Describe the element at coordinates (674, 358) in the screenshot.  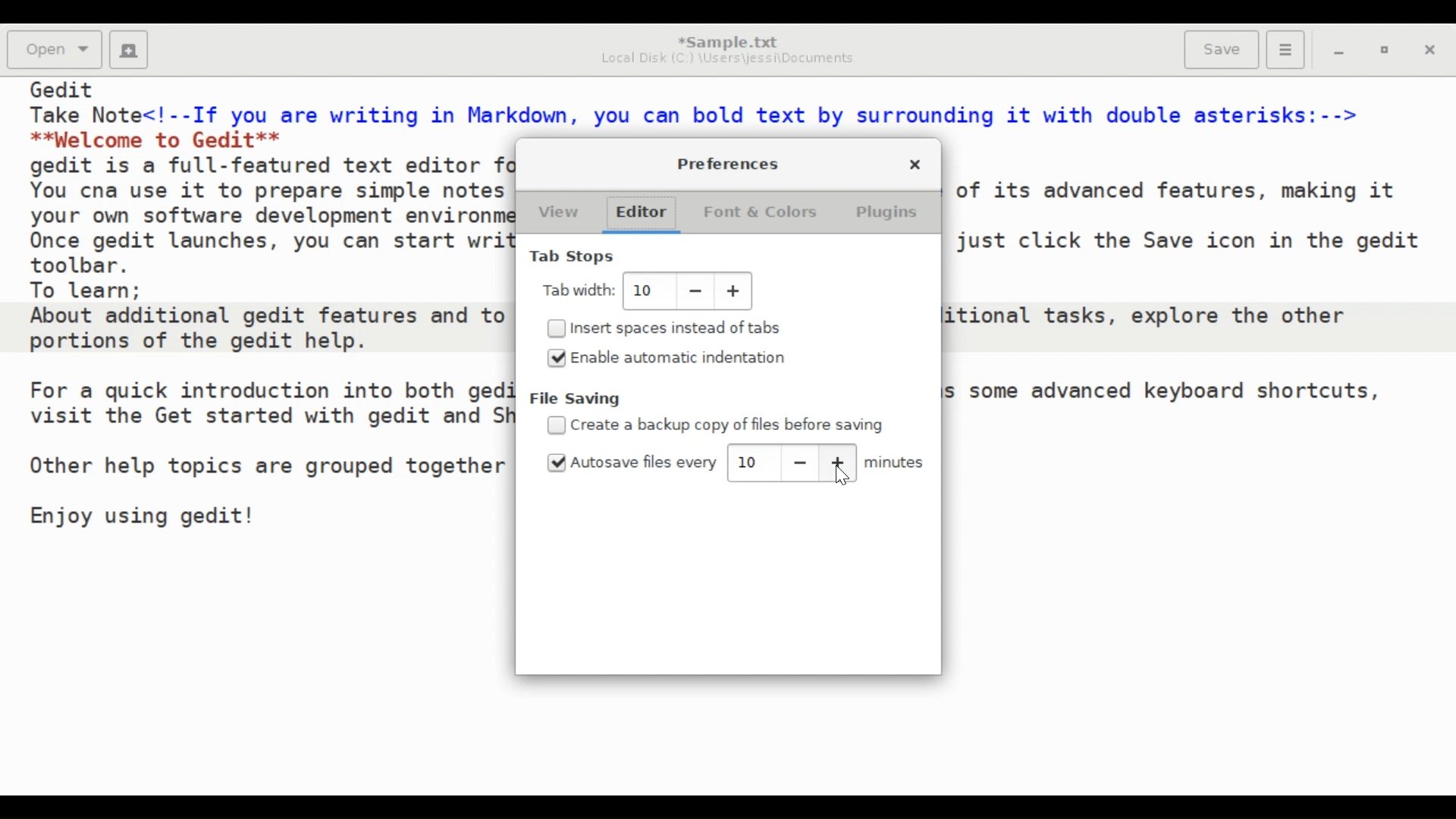
I see `(un)select Enable automatic indentation` at that location.